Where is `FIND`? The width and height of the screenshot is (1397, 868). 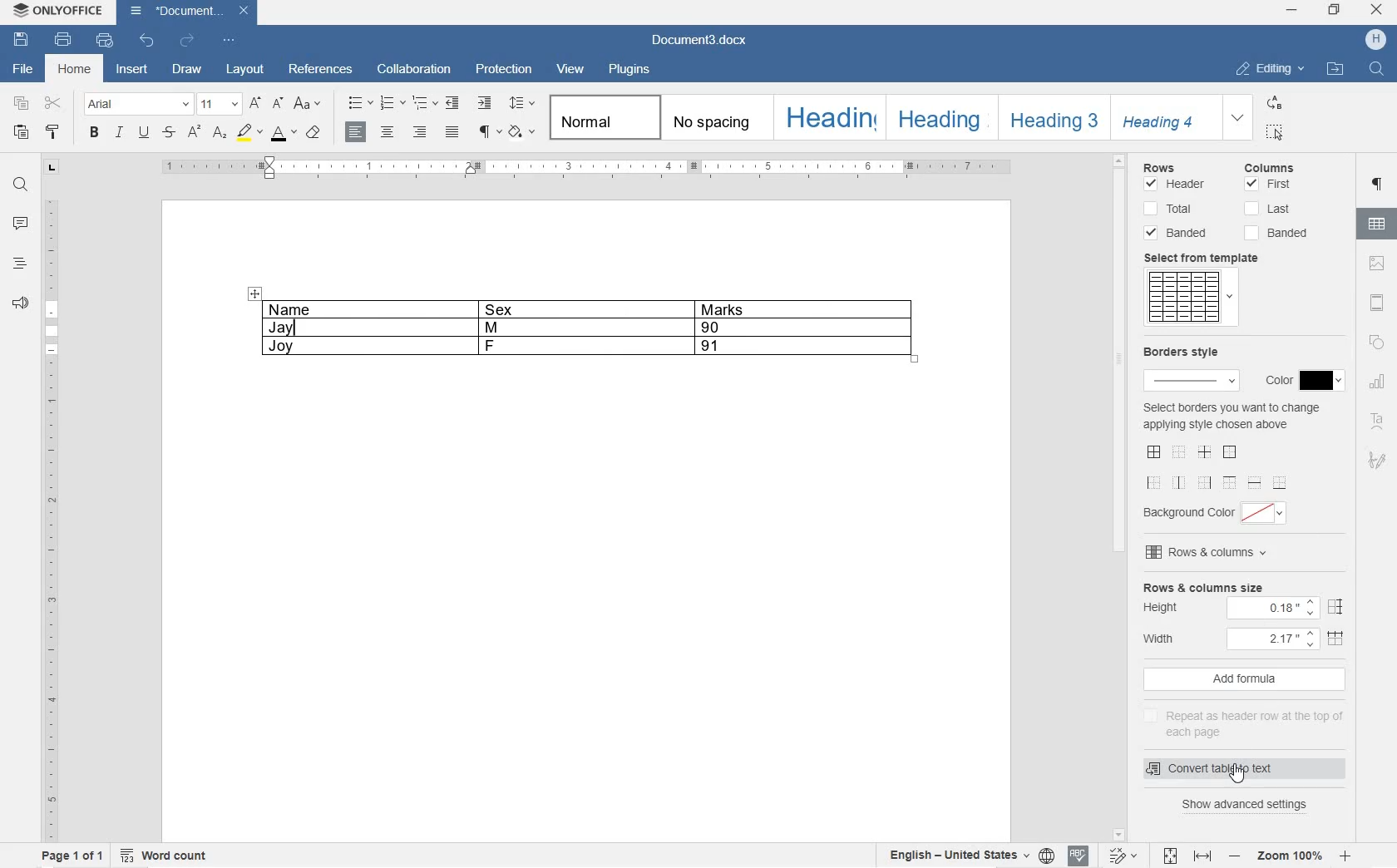 FIND is located at coordinates (19, 187).